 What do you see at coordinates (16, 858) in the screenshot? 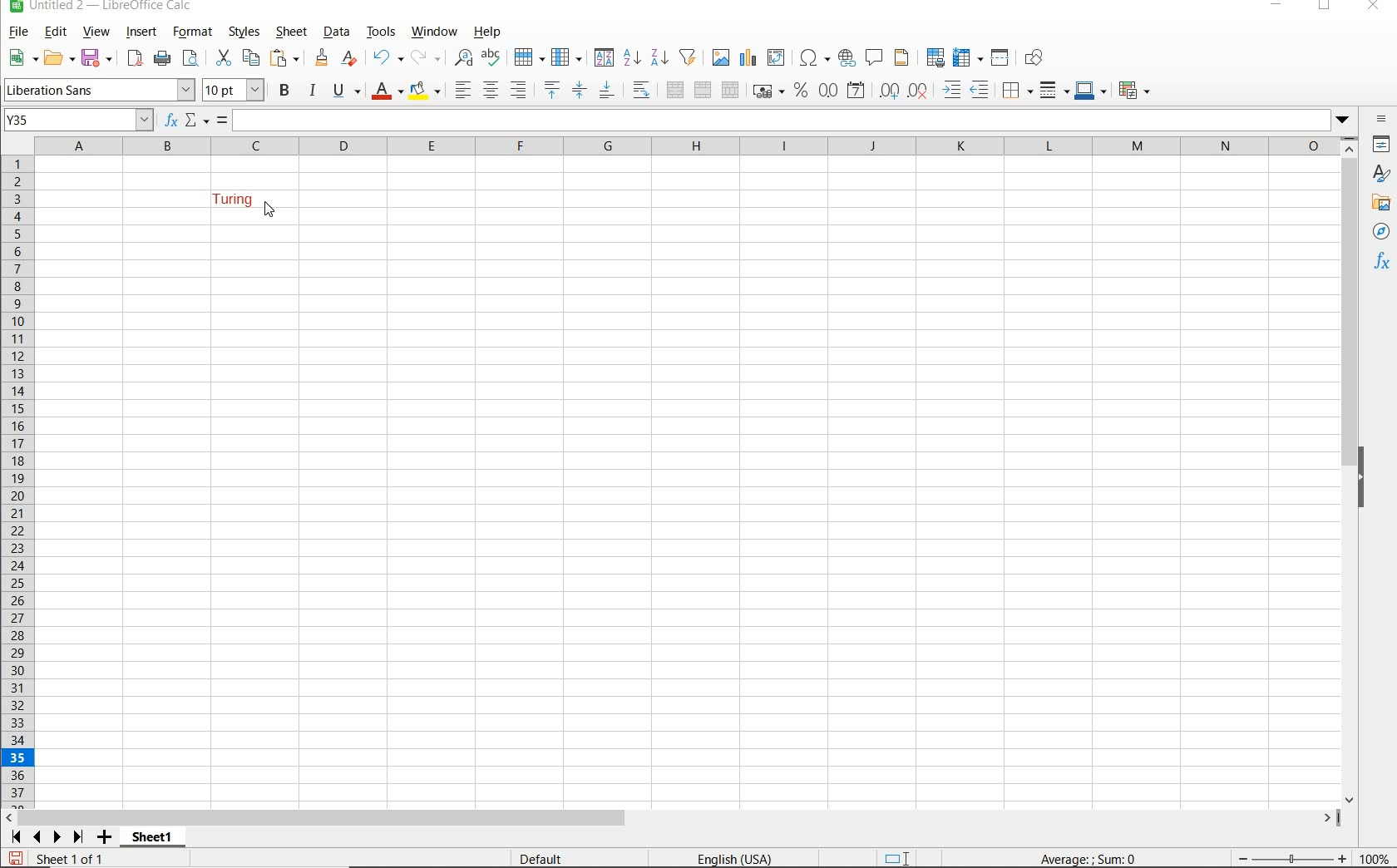
I see `SAVE` at bounding box center [16, 858].